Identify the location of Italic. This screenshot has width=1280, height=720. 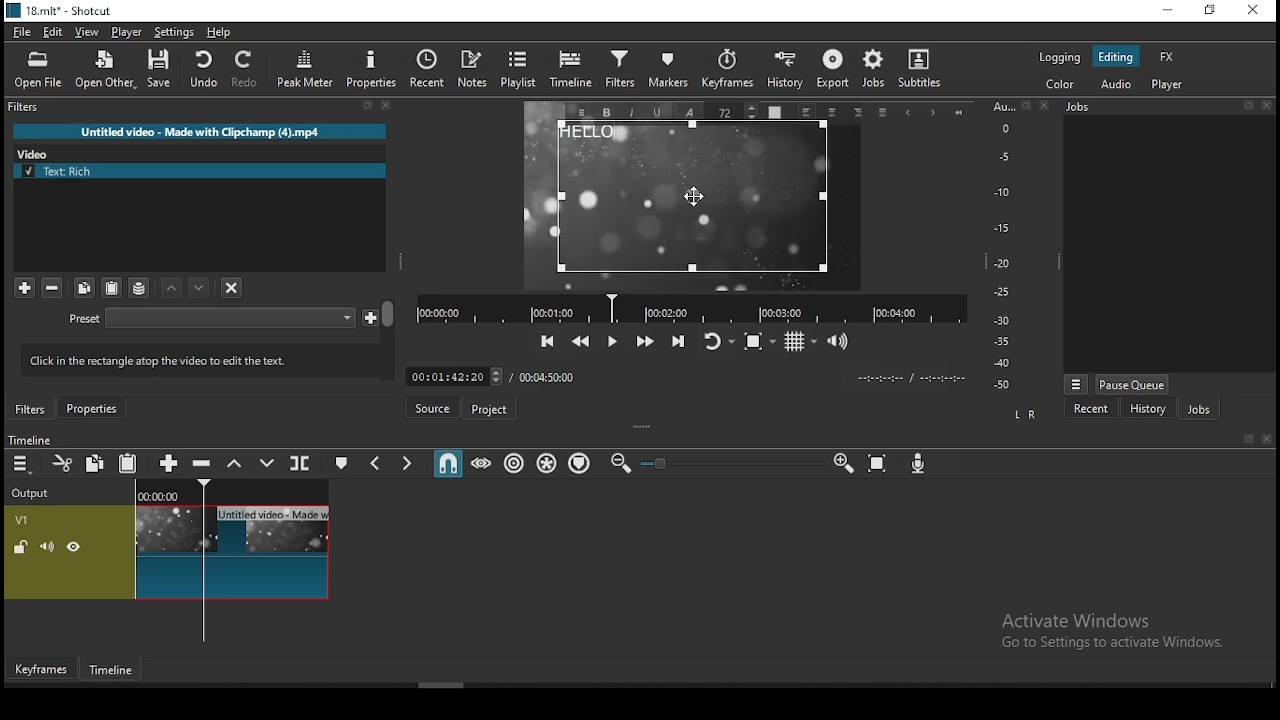
(633, 113).